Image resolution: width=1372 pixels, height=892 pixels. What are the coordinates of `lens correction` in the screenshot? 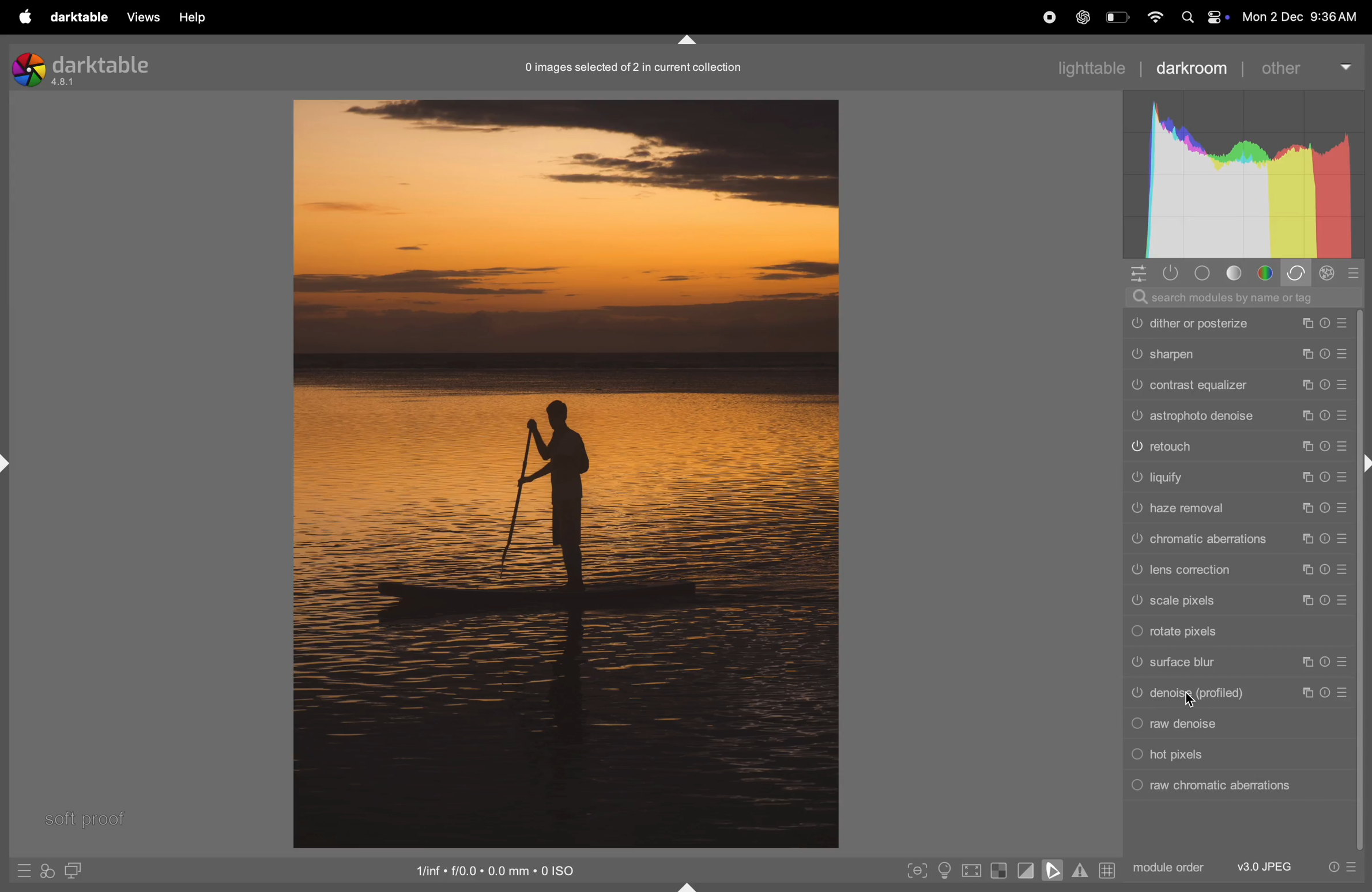 It's located at (1237, 569).